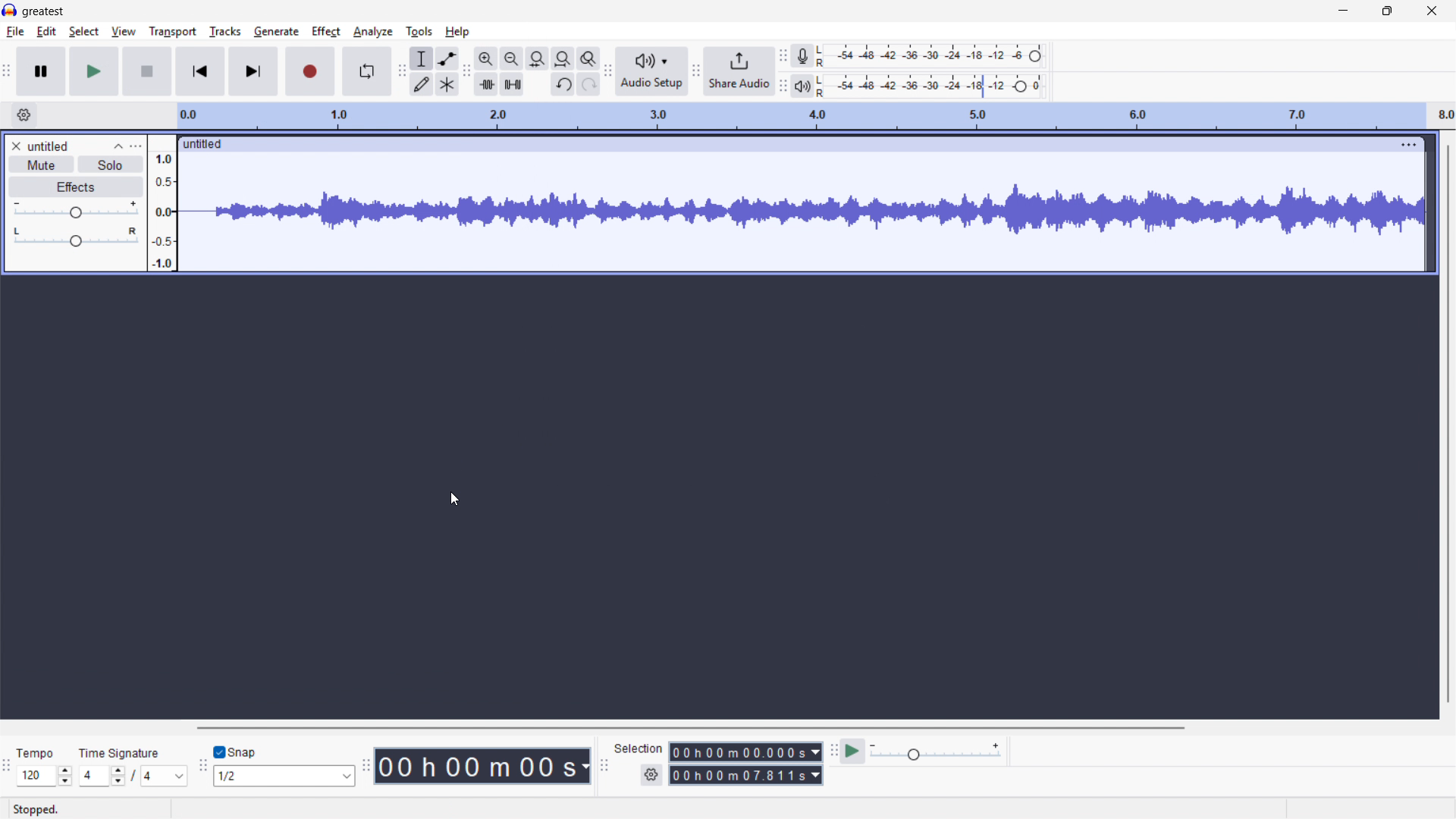  Describe the element at coordinates (310, 72) in the screenshot. I see `record` at that location.